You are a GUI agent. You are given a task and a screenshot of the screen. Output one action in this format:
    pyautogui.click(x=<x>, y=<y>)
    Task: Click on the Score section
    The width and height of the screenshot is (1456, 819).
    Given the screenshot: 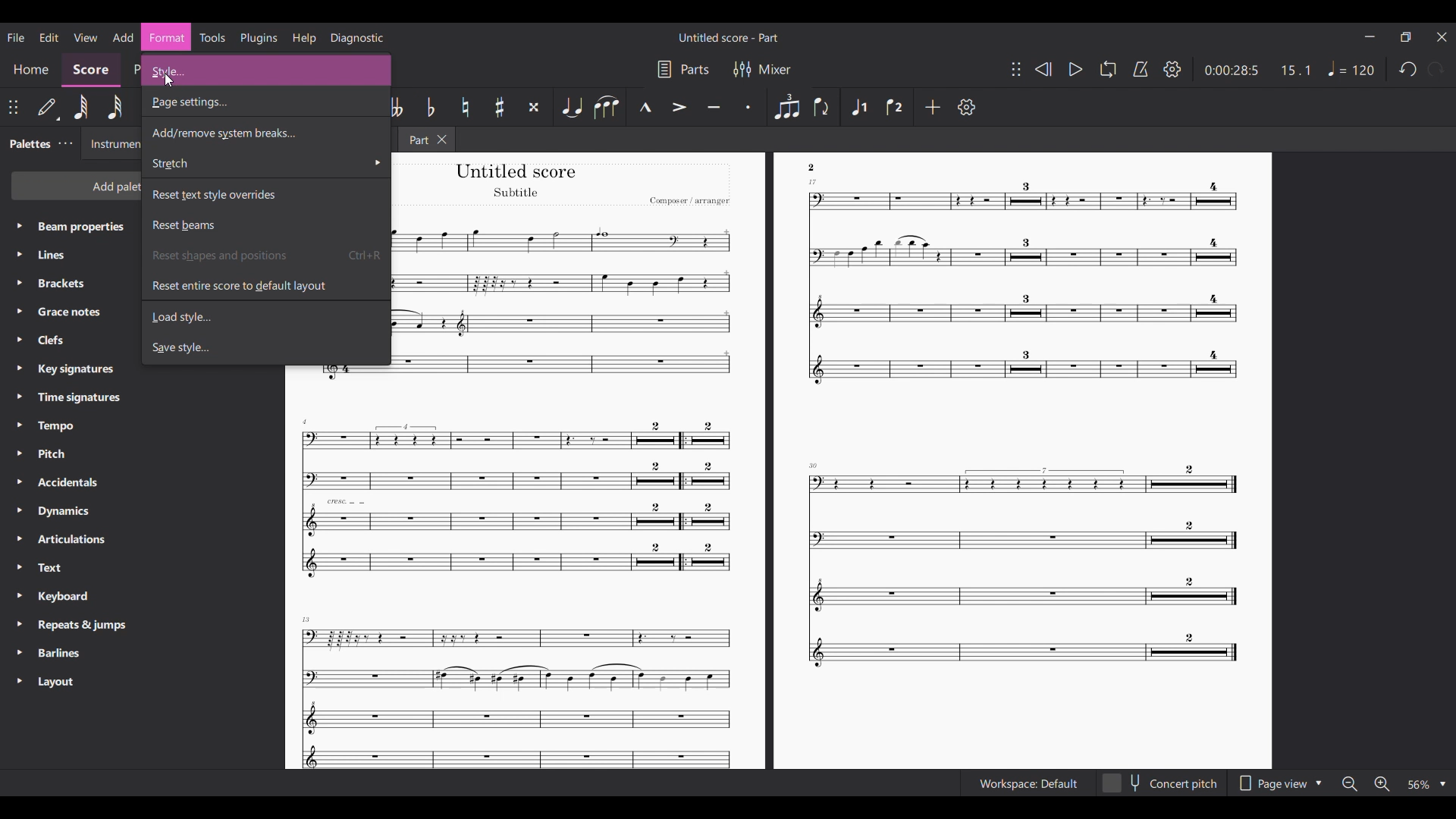 What is the action you would take?
    pyautogui.click(x=92, y=71)
    